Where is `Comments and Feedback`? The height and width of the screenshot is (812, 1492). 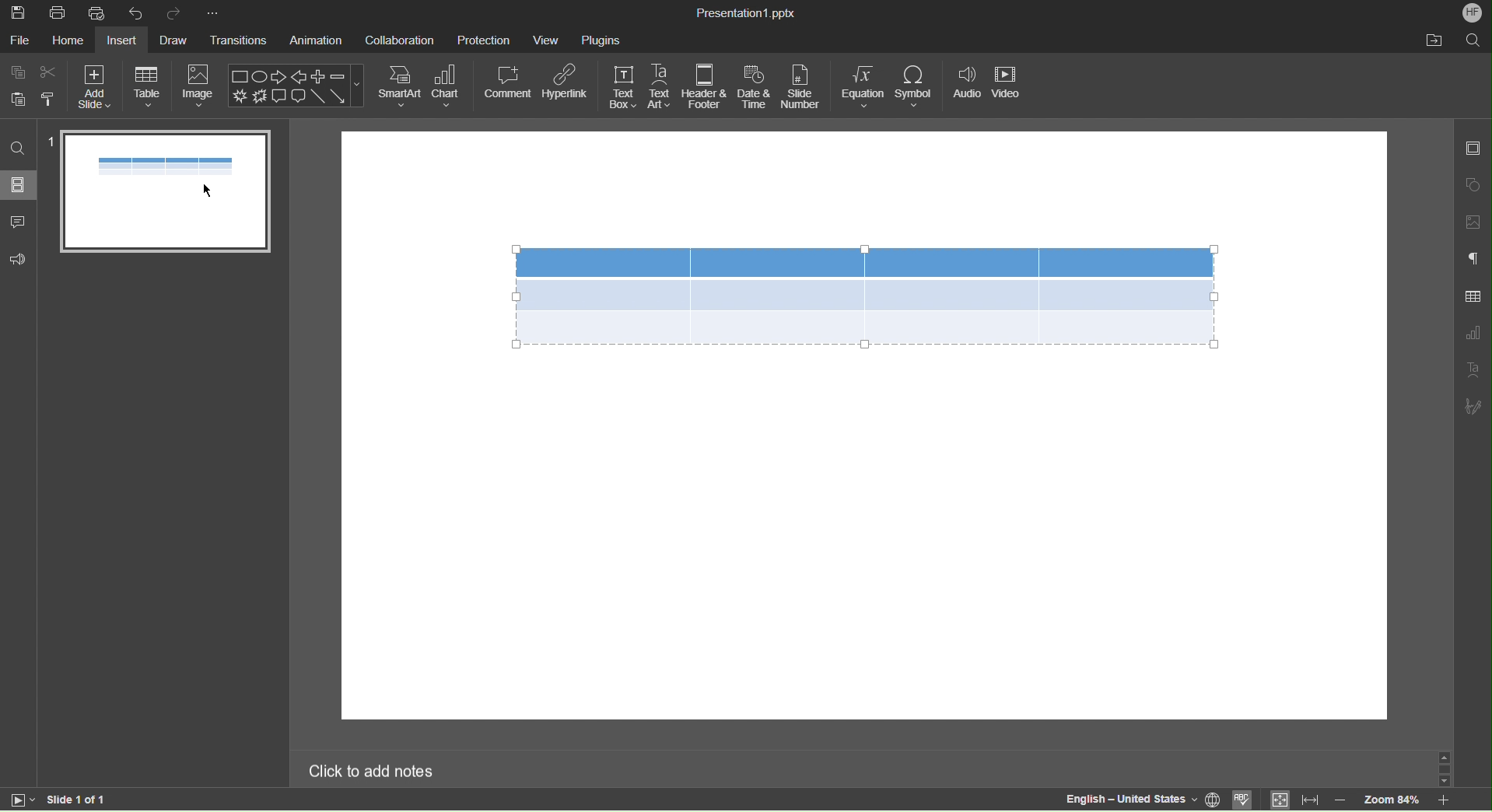
Comments and Feedback is located at coordinates (18, 262).